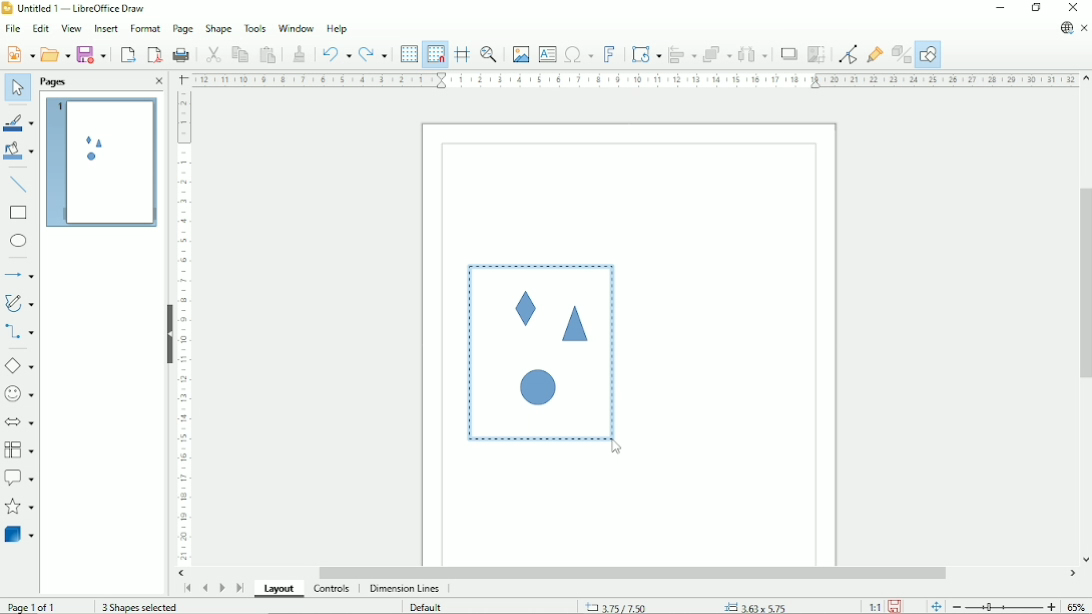 This screenshot has width=1092, height=614. I want to click on Scroll to first page, so click(186, 589).